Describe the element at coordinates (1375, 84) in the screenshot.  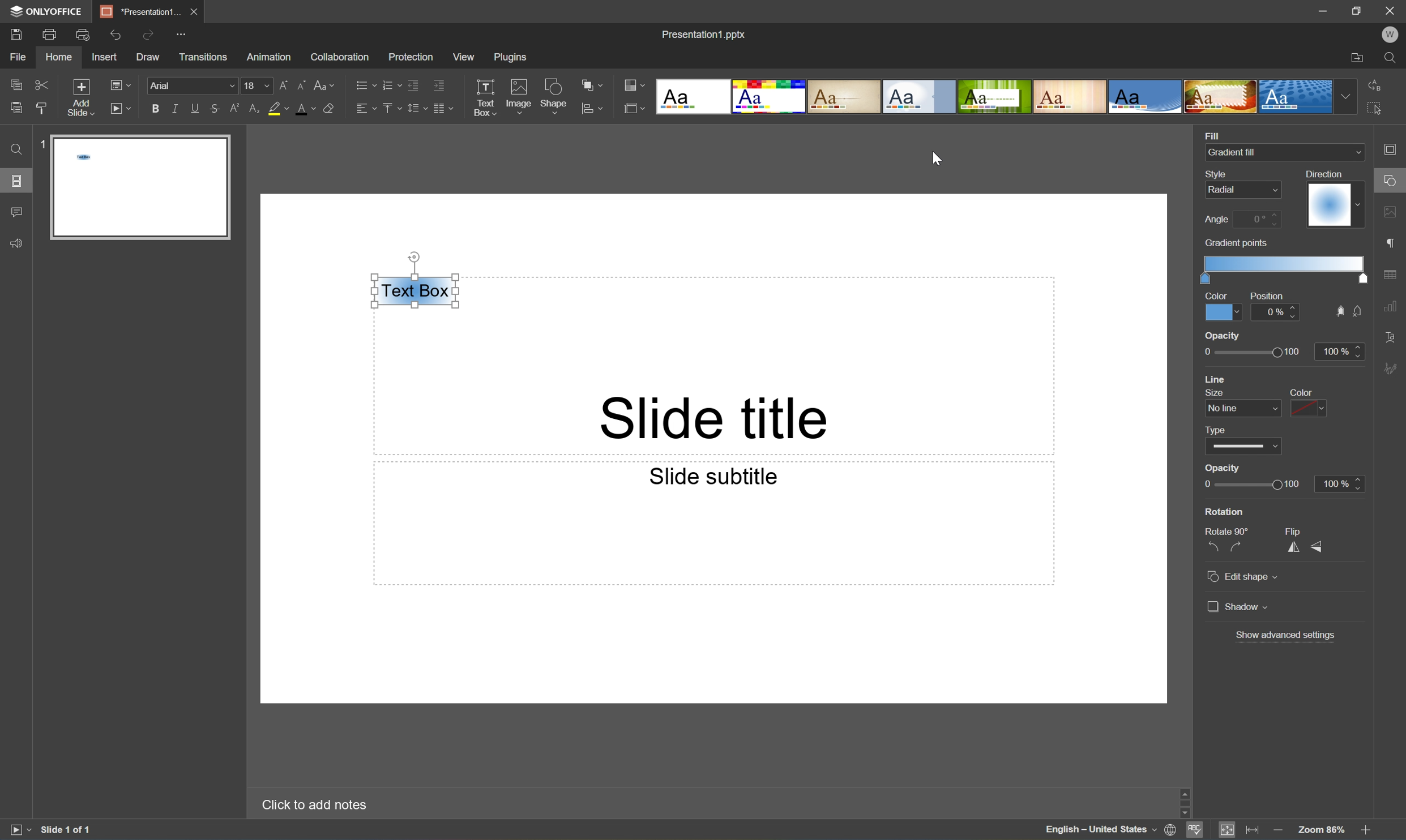
I see `Replace` at that location.